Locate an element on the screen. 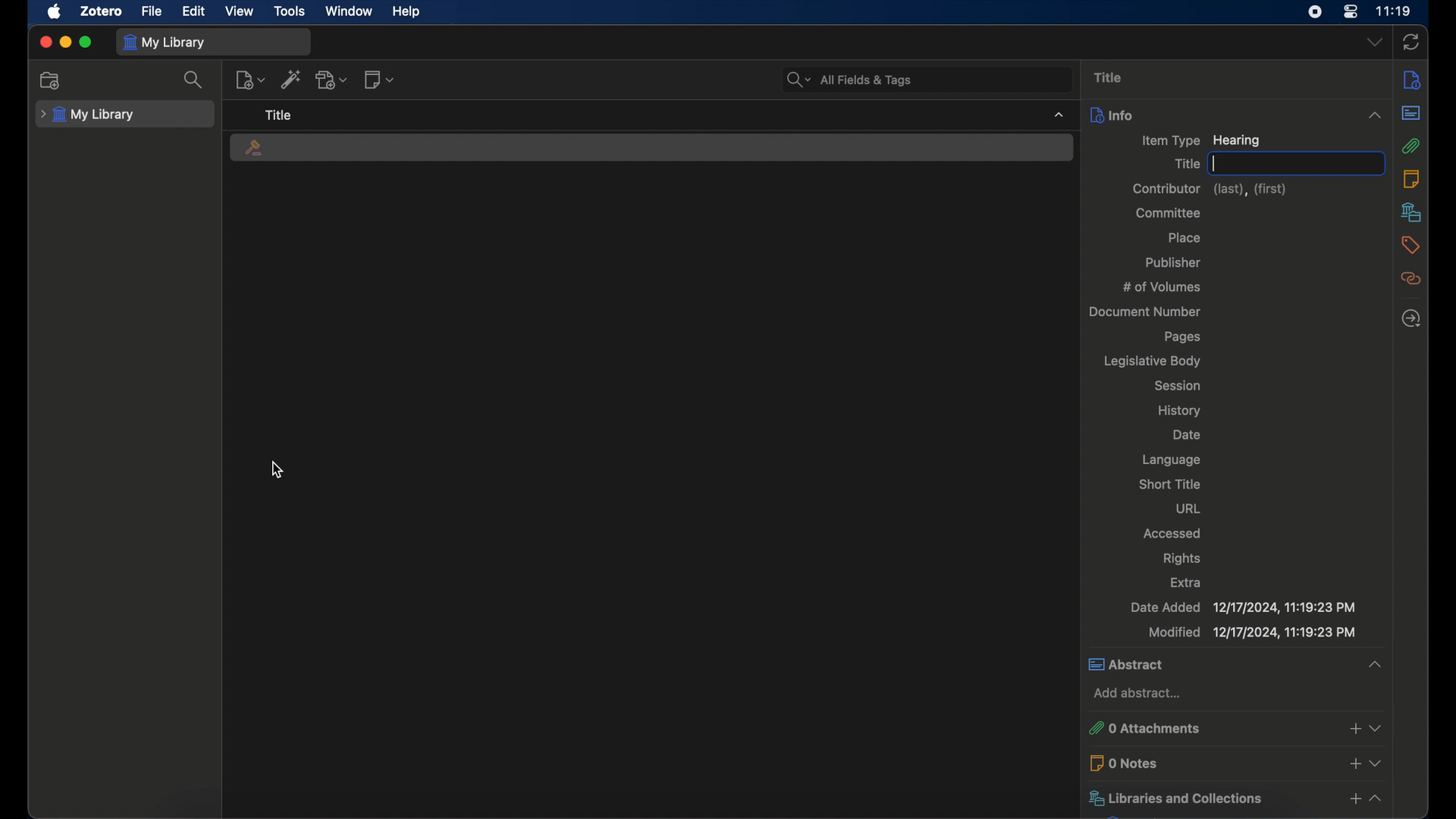  new note is located at coordinates (379, 79).